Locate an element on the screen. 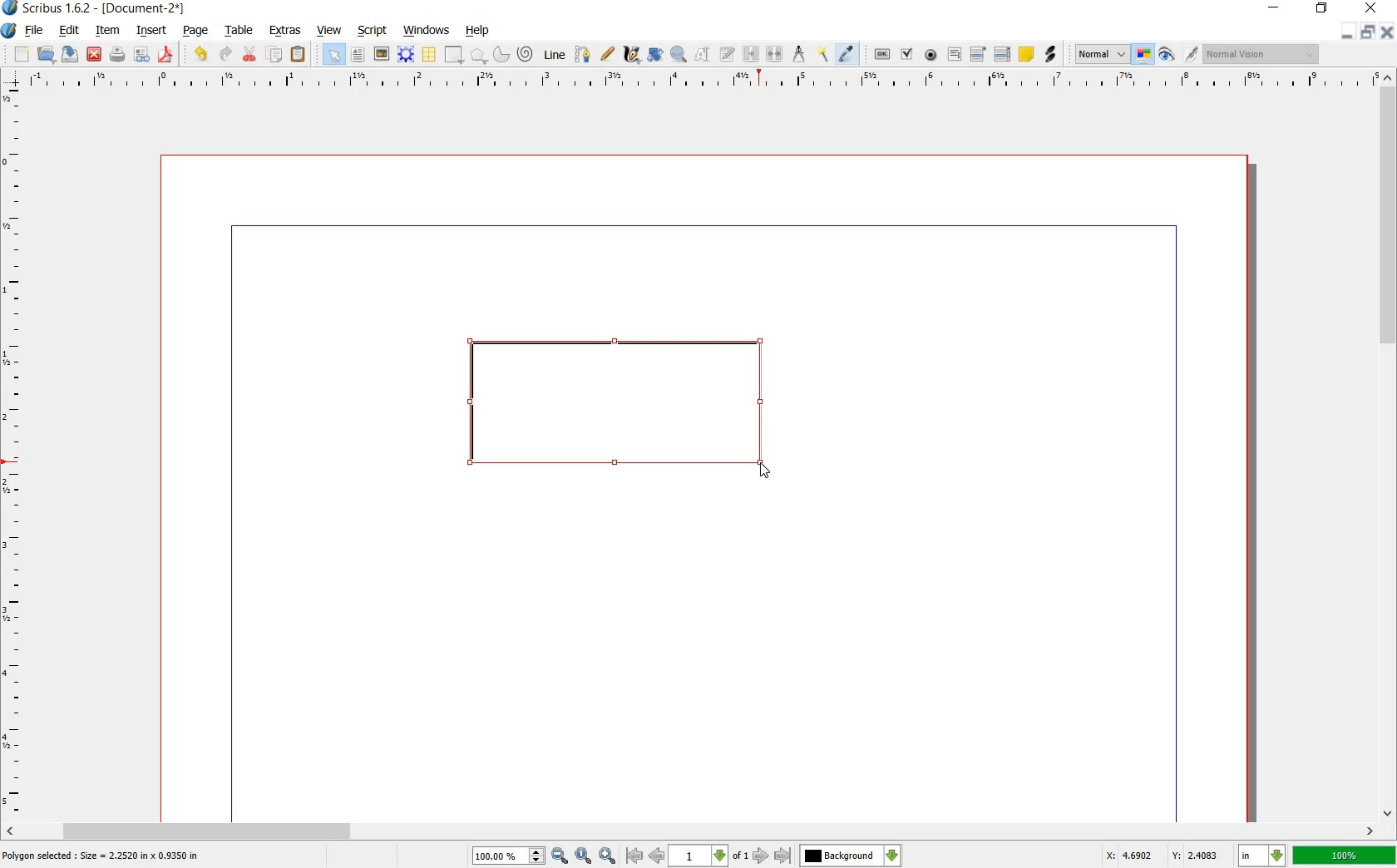  SCROLLBAR is located at coordinates (1389, 446).